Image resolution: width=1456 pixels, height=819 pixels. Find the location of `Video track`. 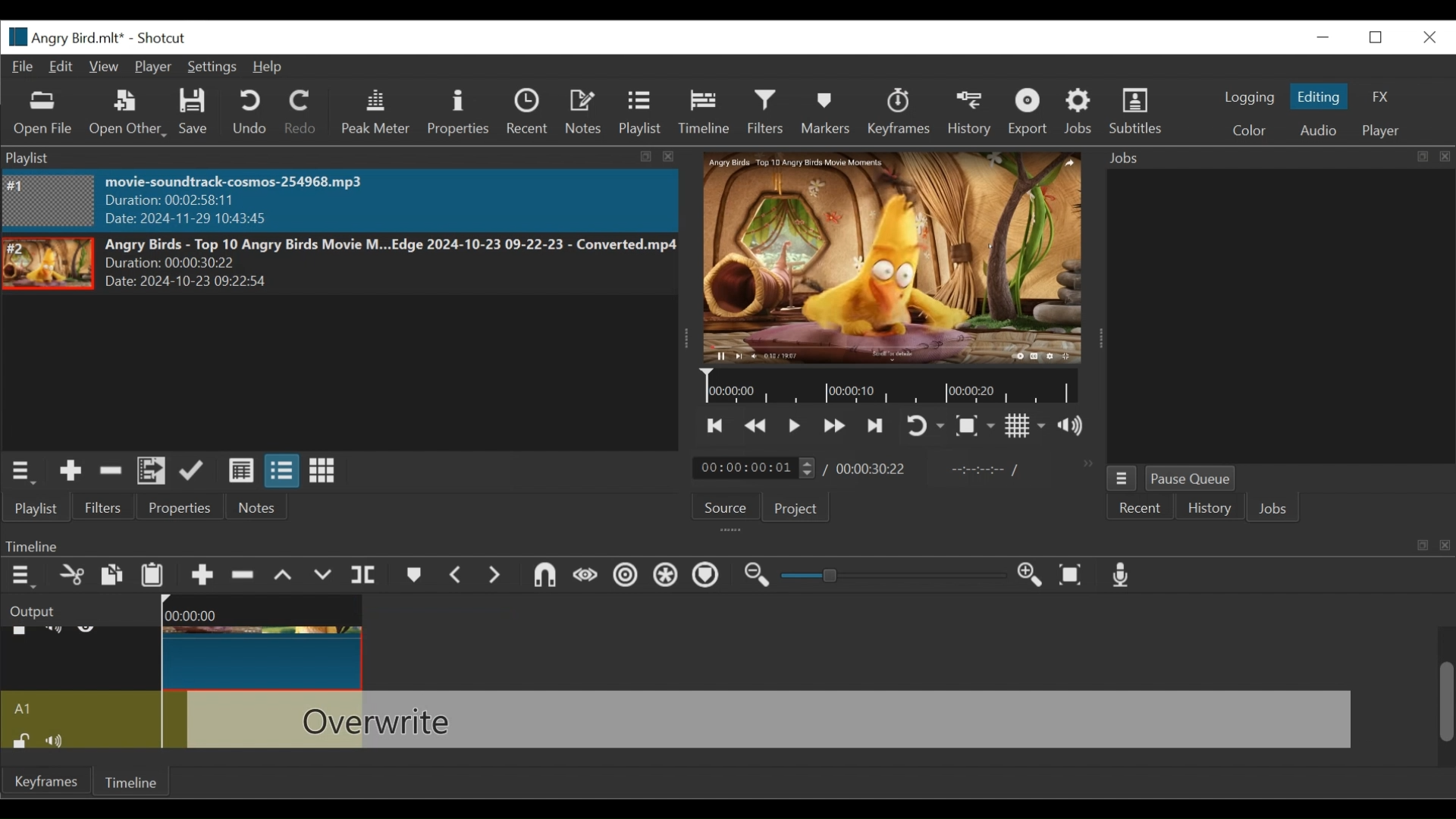

Video track is located at coordinates (81, 659).